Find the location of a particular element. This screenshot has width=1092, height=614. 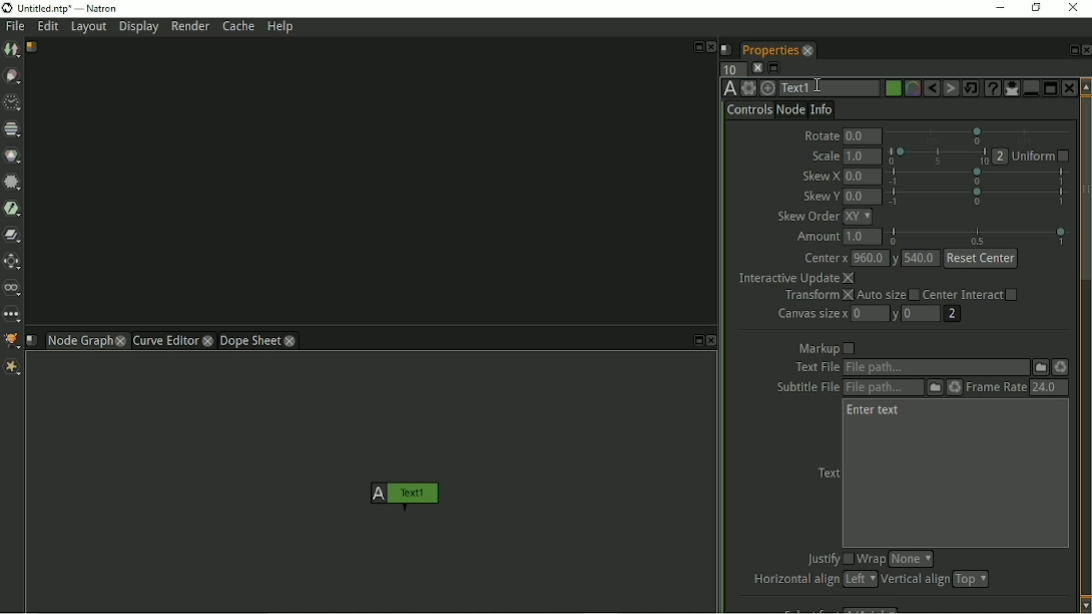

Keyer is located at coordinates (14, 209).